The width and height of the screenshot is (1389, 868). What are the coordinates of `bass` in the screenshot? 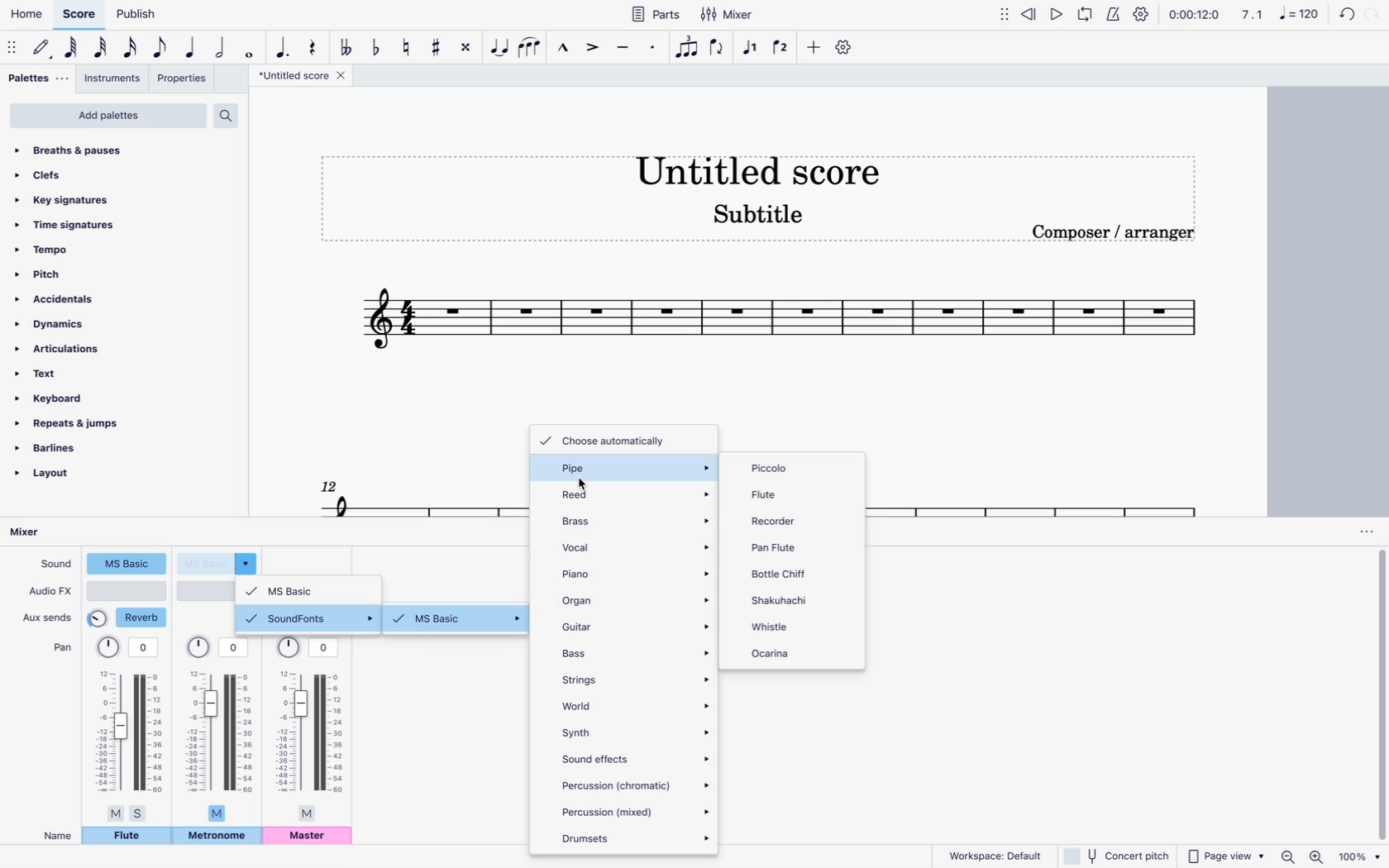 It's located at (636, 653).